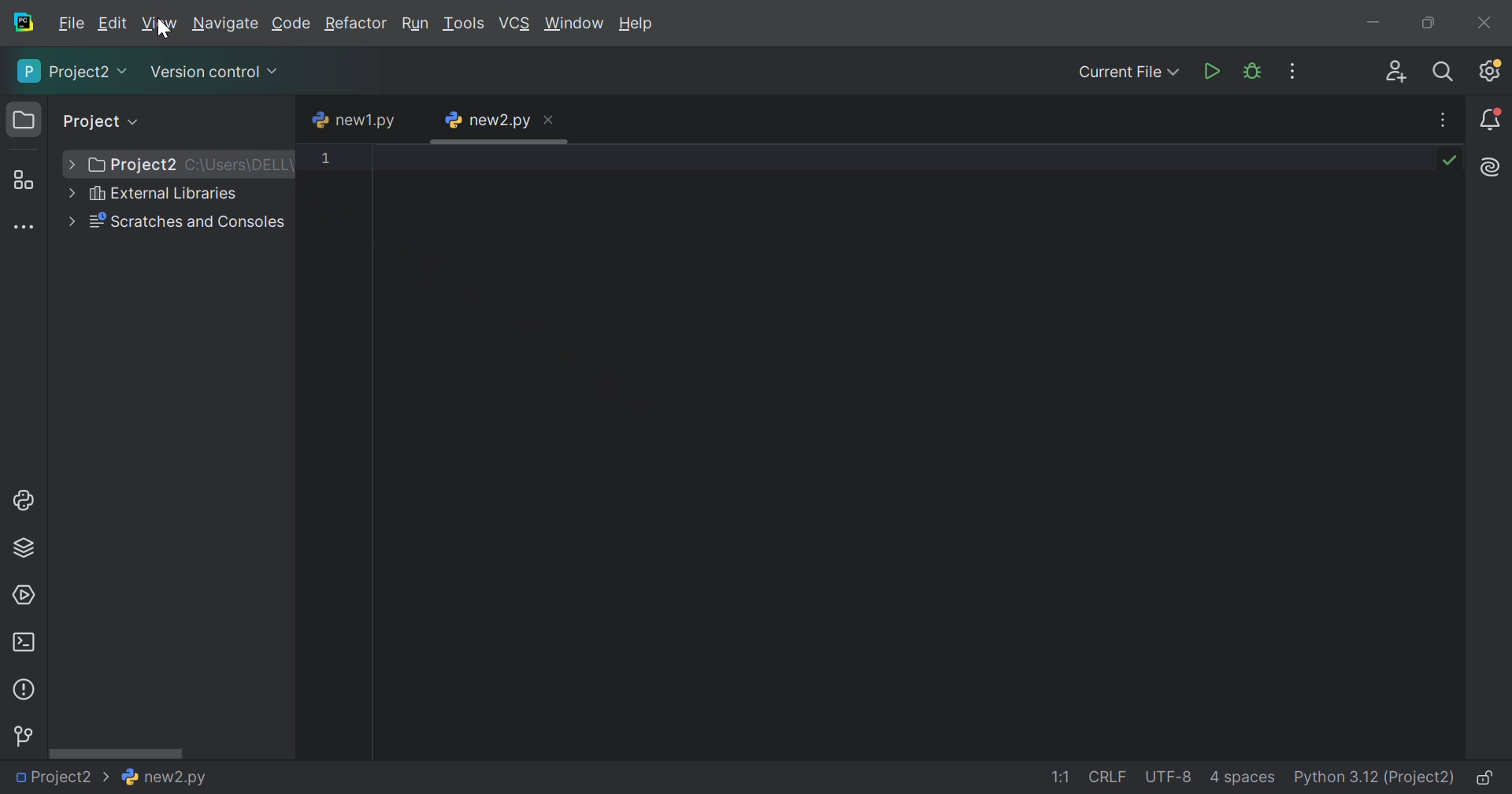  I want to click on More Actions, so click(1295, 72).